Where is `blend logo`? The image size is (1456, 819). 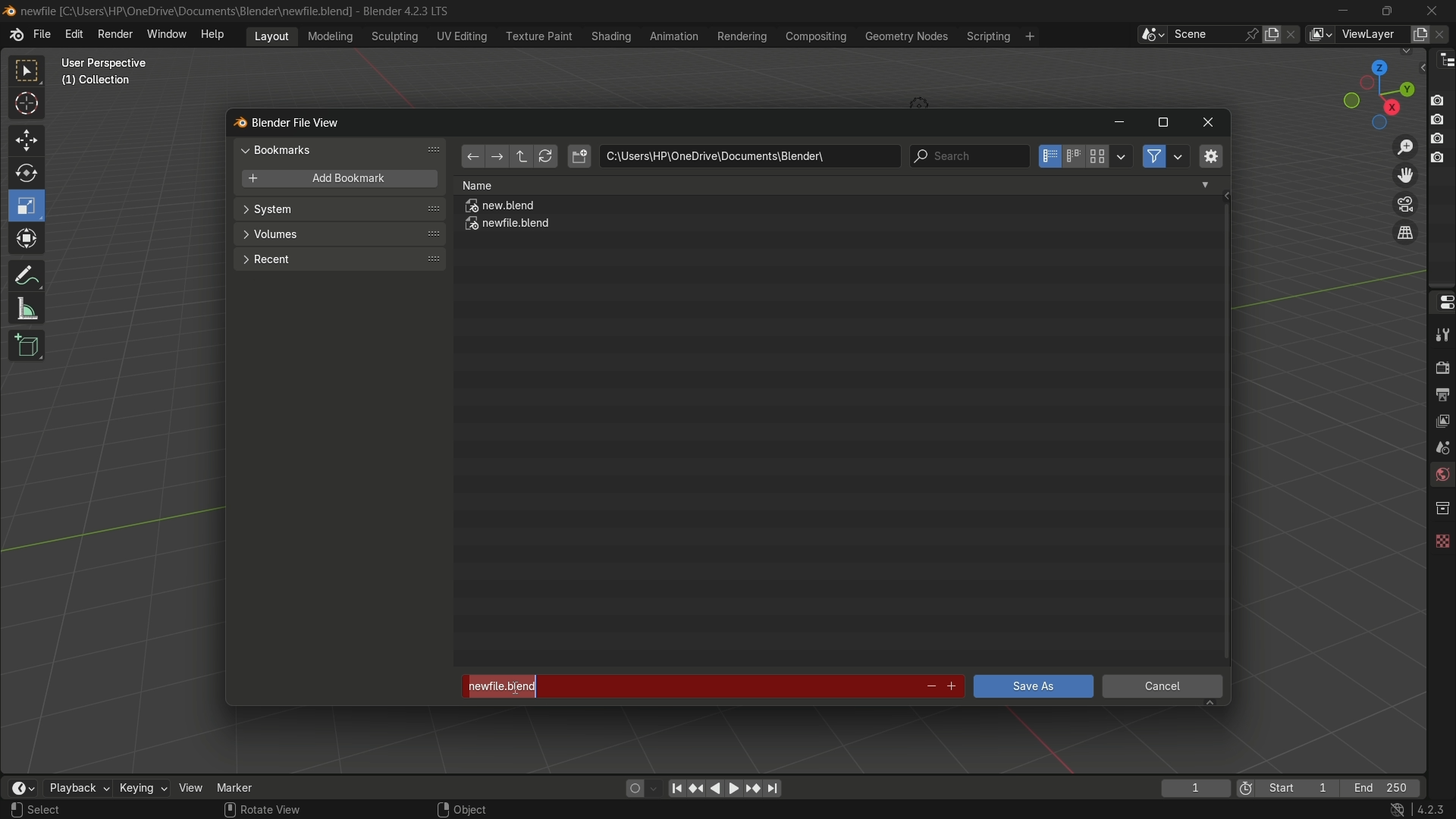 blend logo is located at coordinates (234, 124).